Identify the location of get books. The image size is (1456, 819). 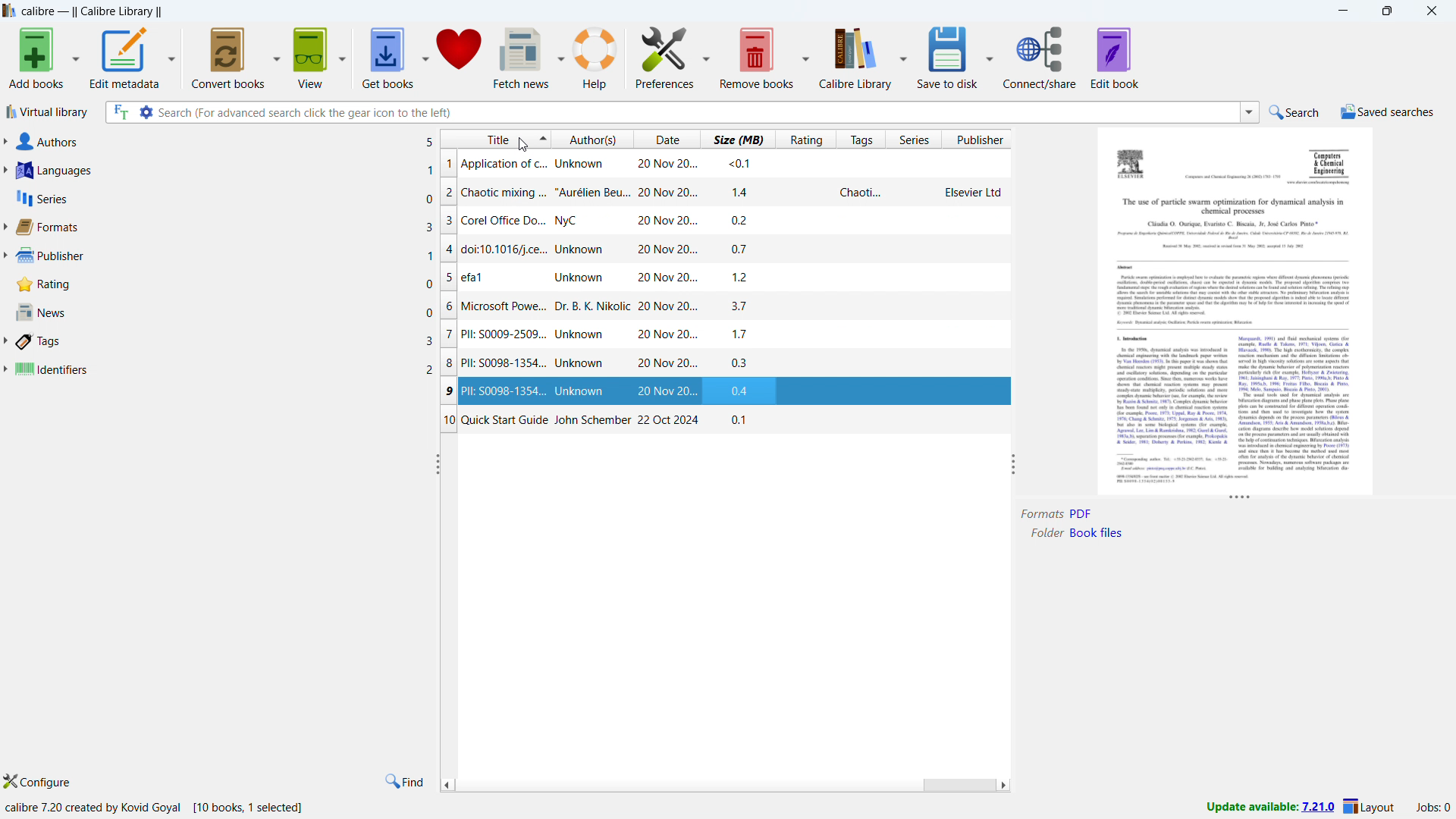
(387, 56).